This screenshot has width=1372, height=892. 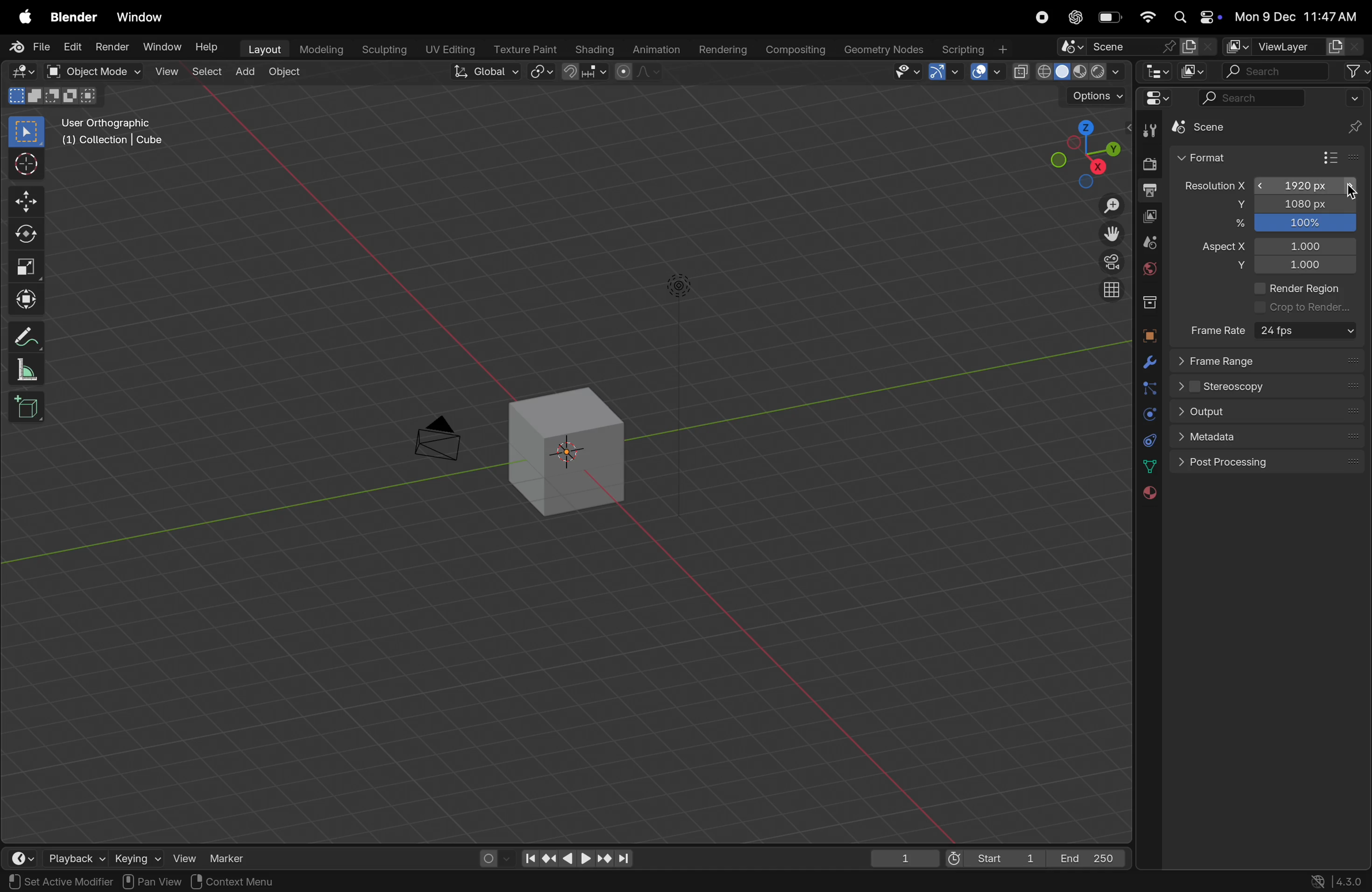 What do you see at coordinates (1197, 16) in the screenshot?
I see `apple widgets` at bounding box center [1197, 16].